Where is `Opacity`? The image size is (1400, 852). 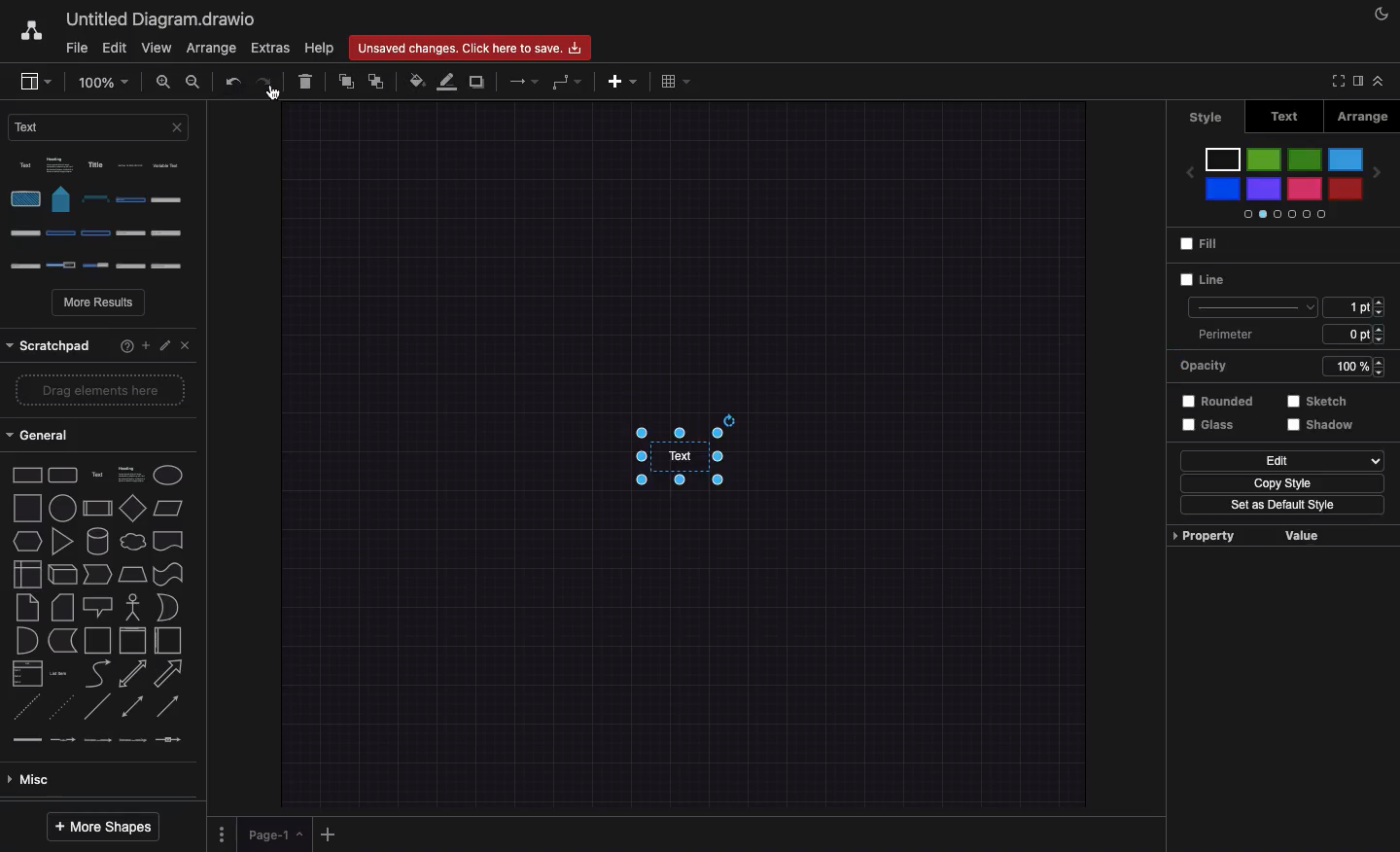 Opacity is located at coordinates (1277, 367).